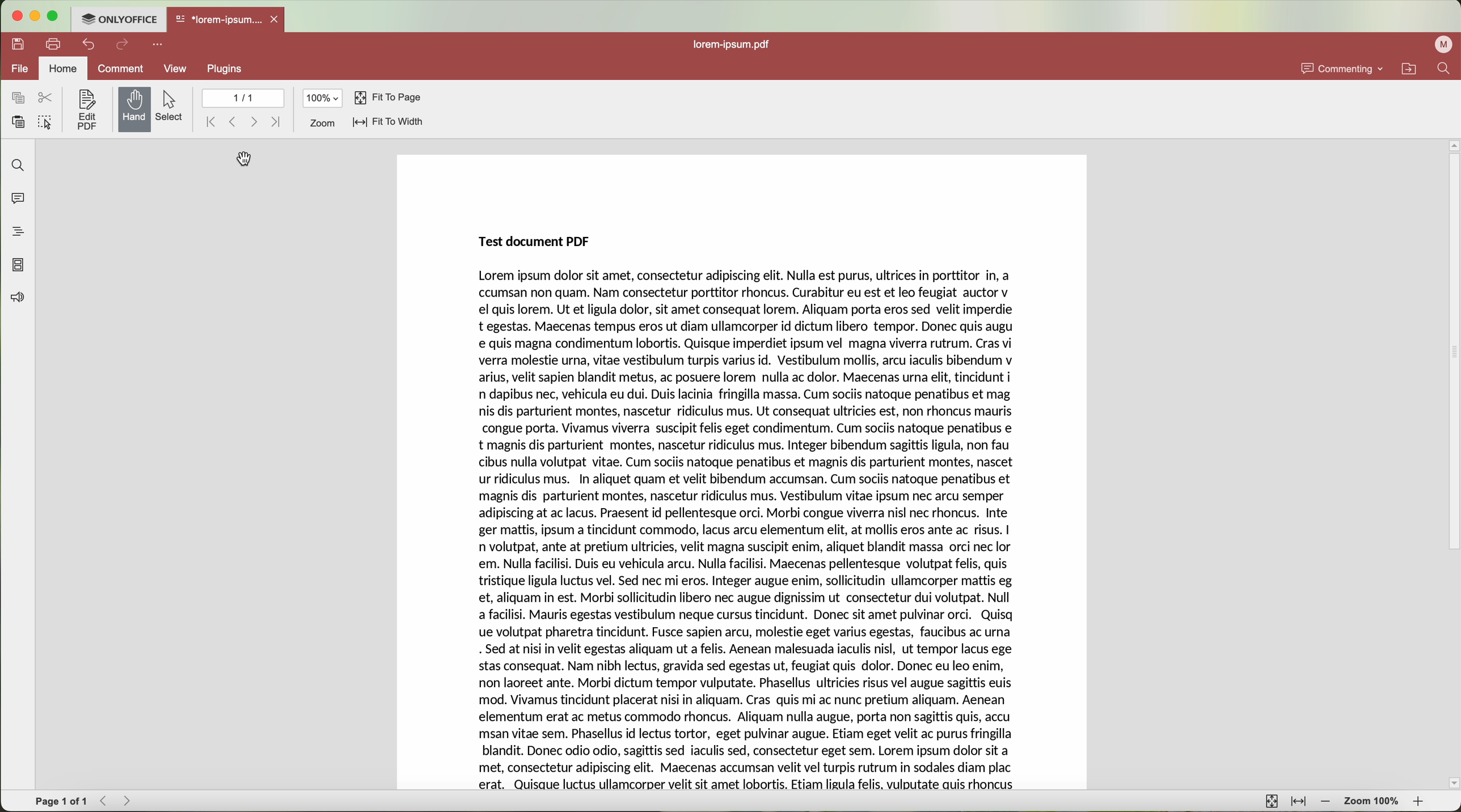  What do you see at coordinates (388, 98) in the screenshot?
I see `fit to page` at bounding box center [388, 98].